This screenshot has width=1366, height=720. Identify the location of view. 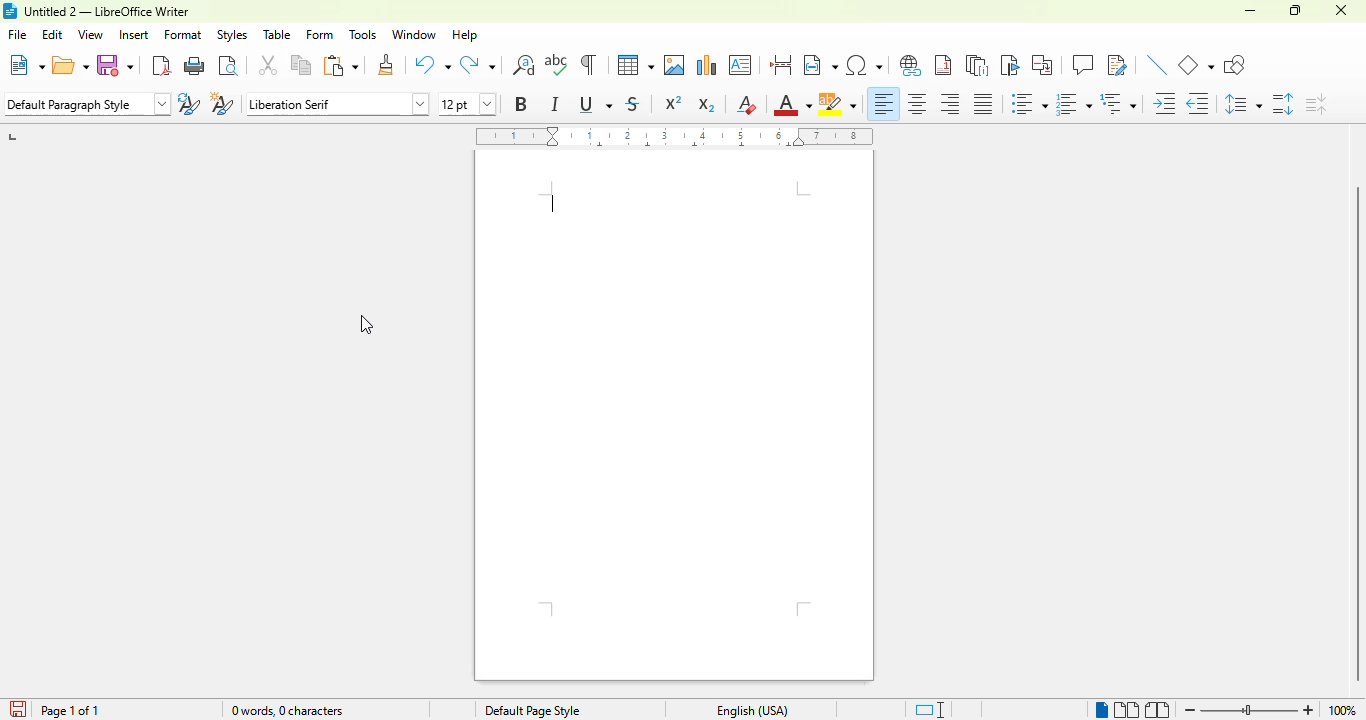
(90, 34).